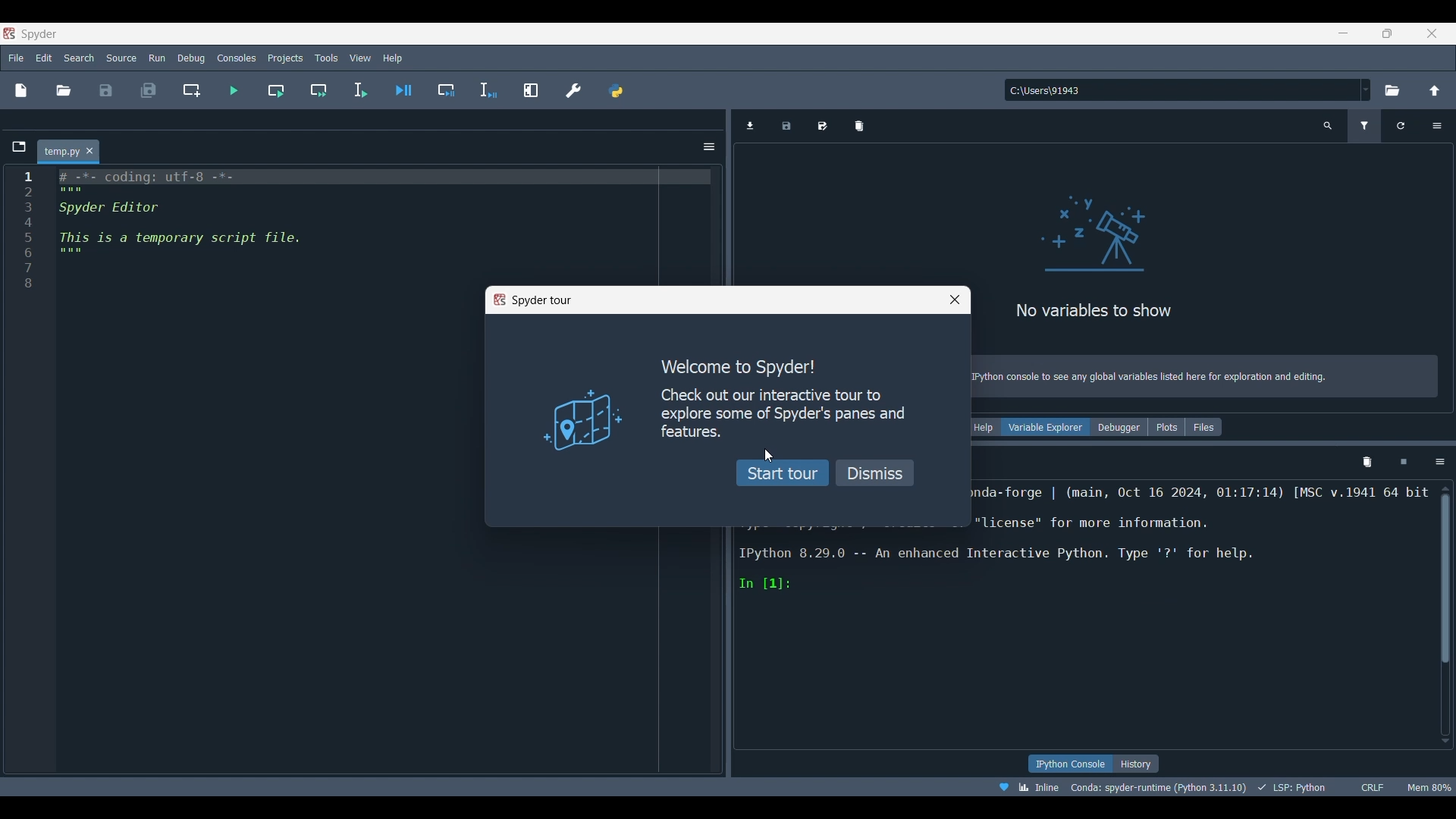 The height and width of the screenshot is (819, 1456). Describe the element at coordinates (783, 127) in the screenshot. I see `save` at that location.